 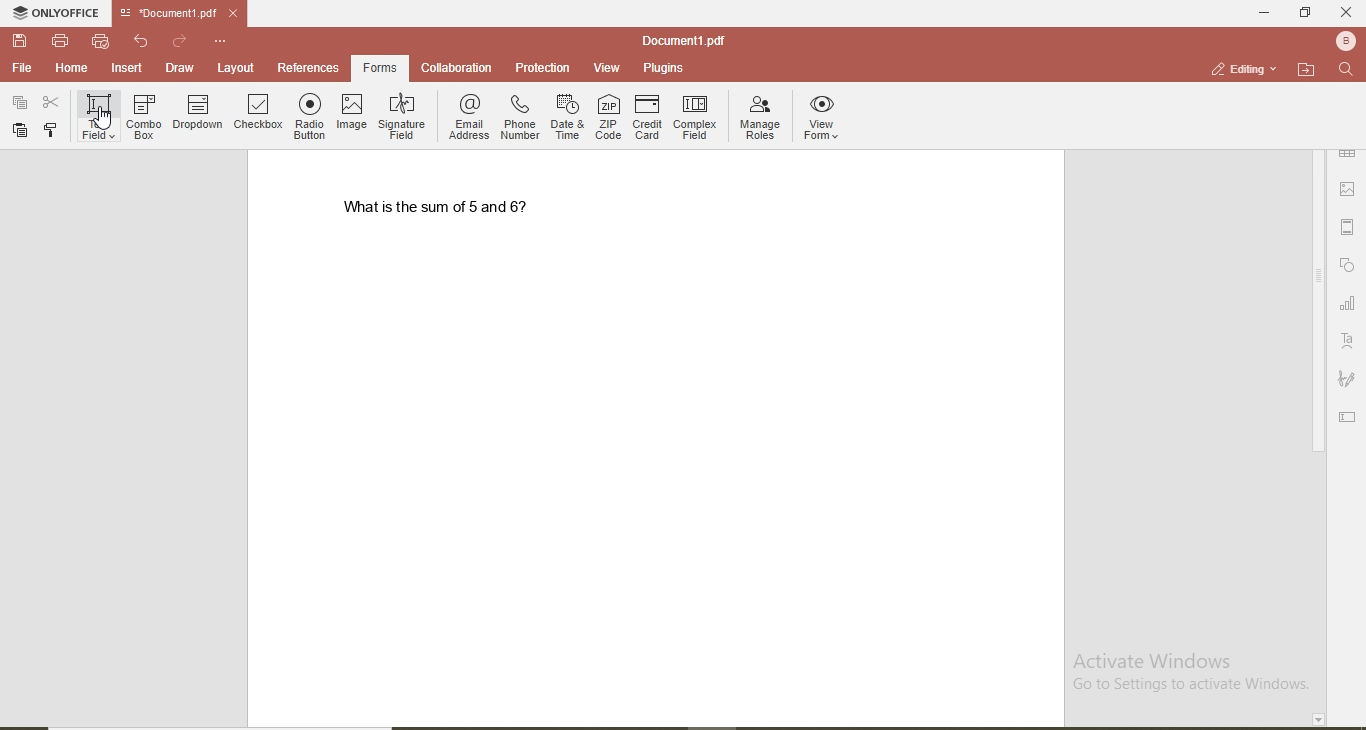 I want to click on ZIP code, so click(x=607, y=115).